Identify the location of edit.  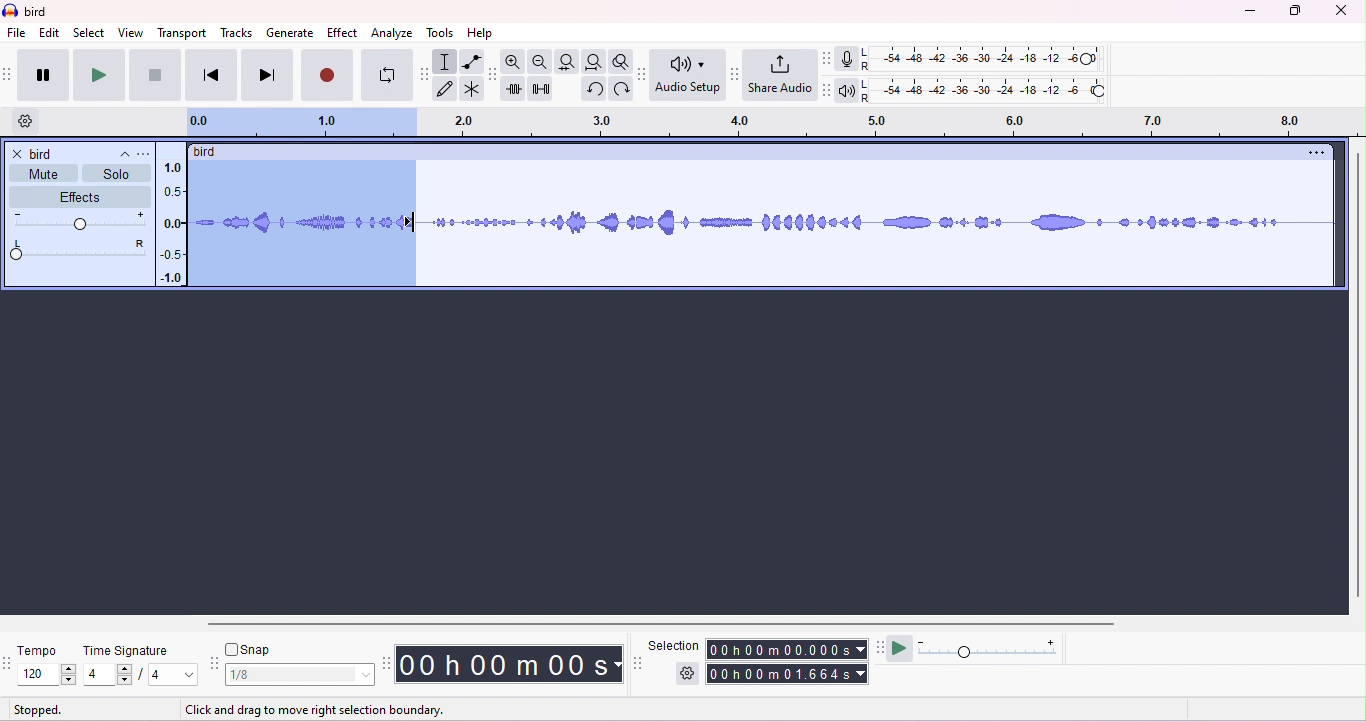
(50, 33).